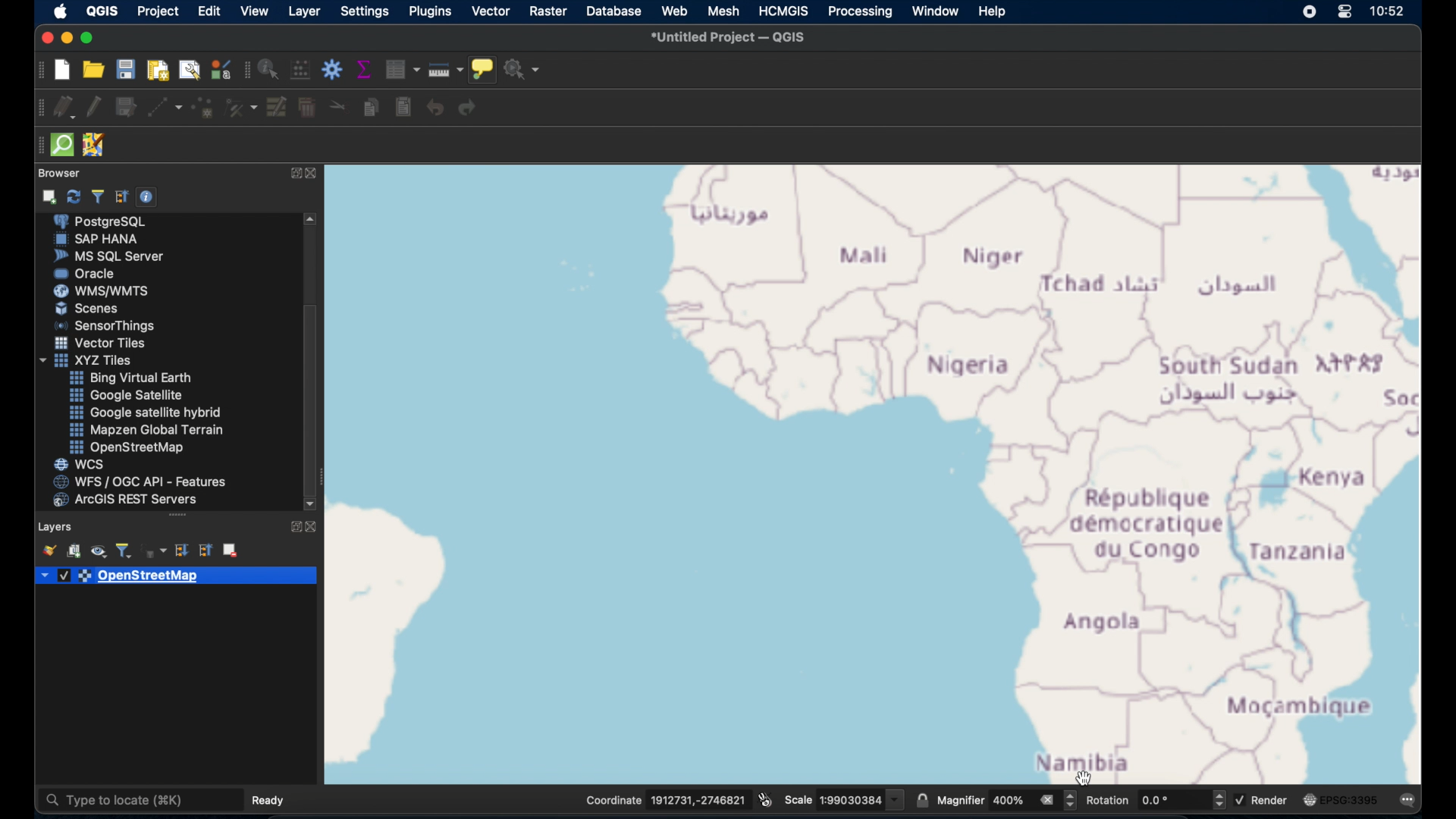 The image size is (1456, 819). Describe the element at coordinates (1411, 801) in the screenshot. I see `messages` at that location.